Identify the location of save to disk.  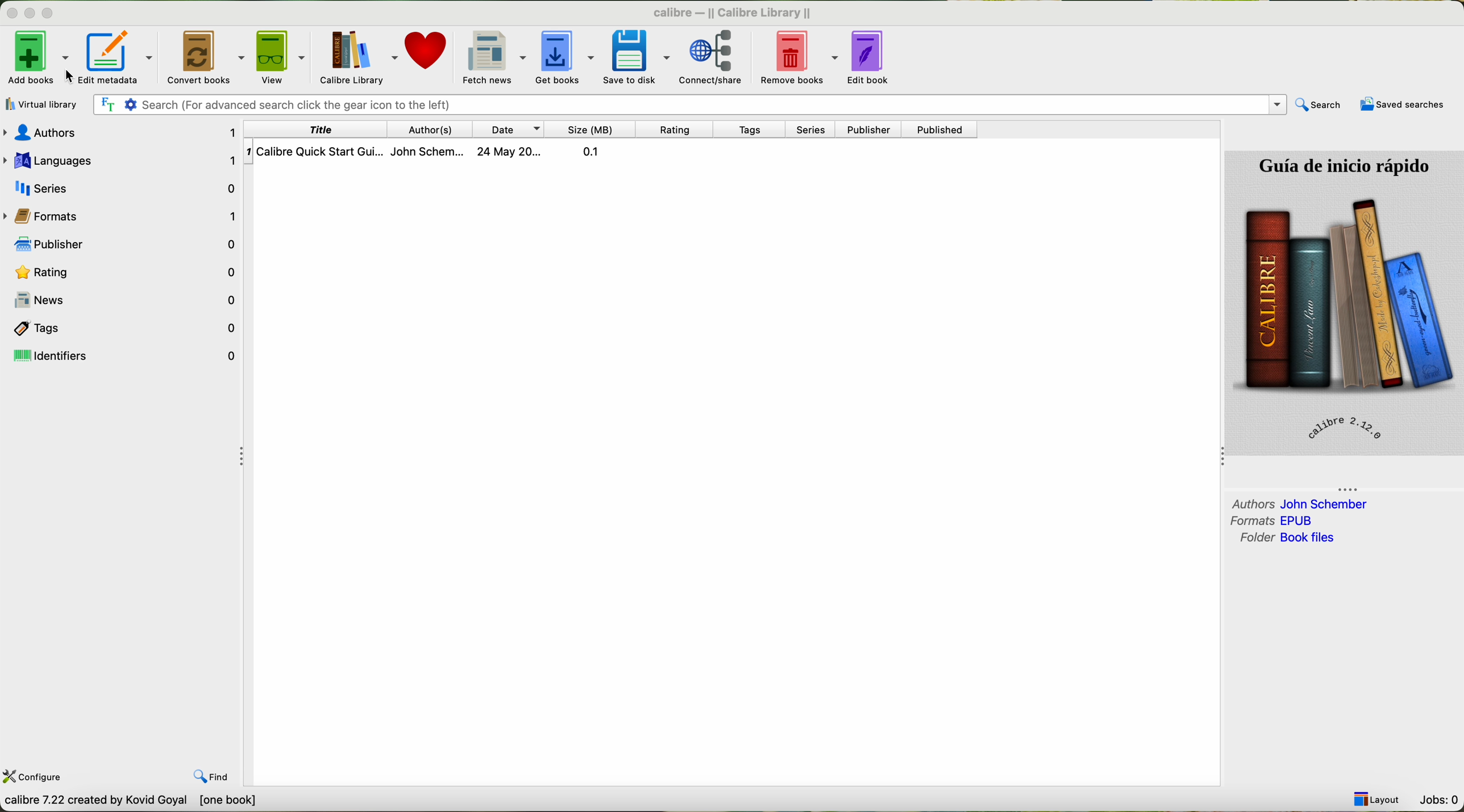
(639, 56).